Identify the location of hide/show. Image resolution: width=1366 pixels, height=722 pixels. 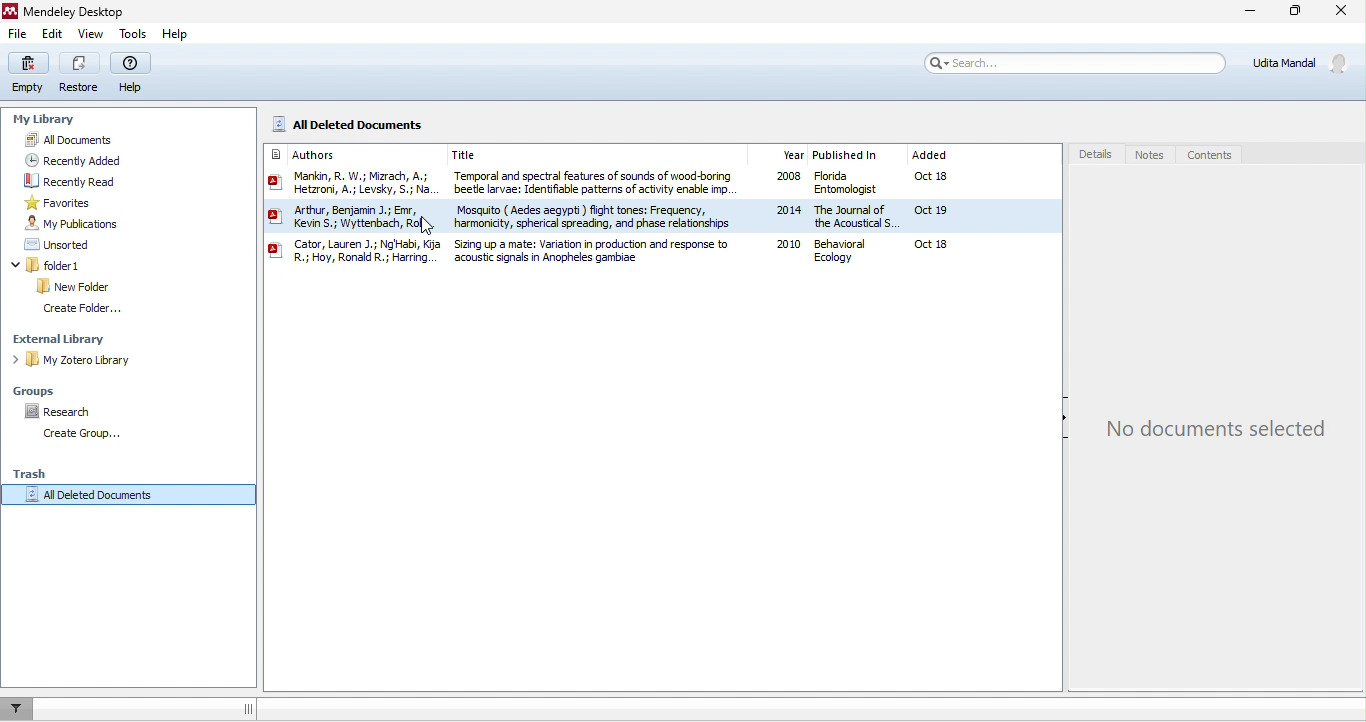
(1057, 420).